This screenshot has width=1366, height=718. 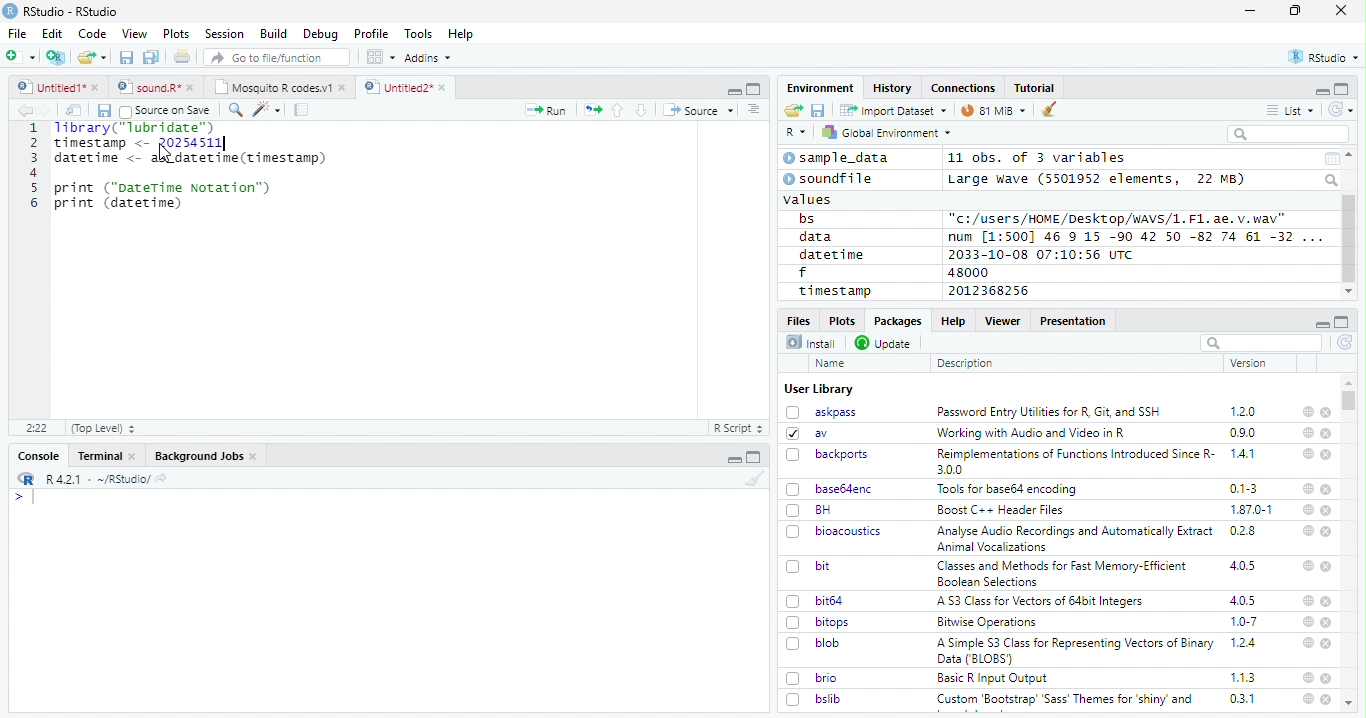 I want to click on go forward, so click(x=48, y=110).